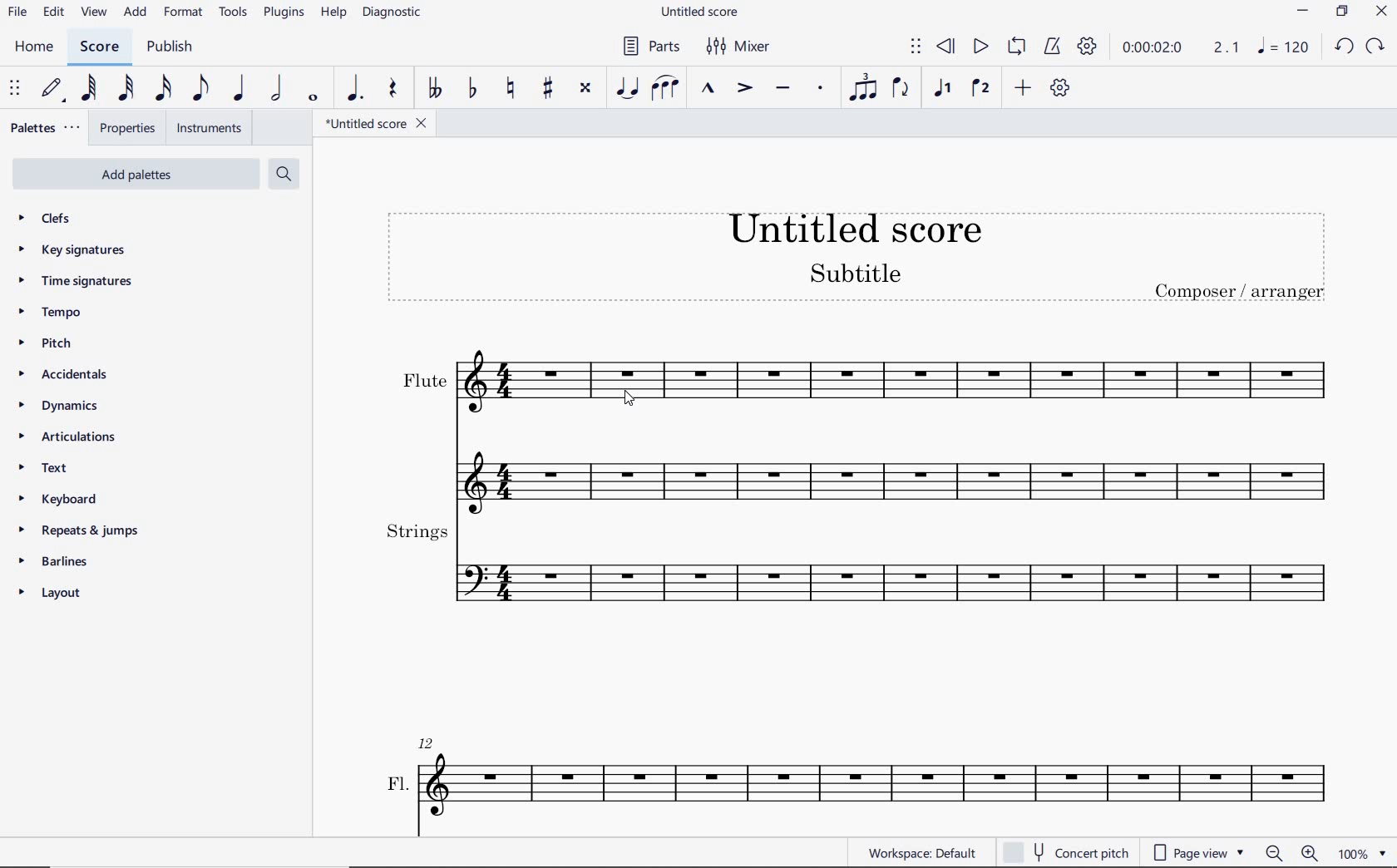 The width and height of the screenshot is (1397, 868). What do you see at coordinates (1295, 854) in the screenshot?
I see `zoom out or zoom in` at bounding box center [1295, 854].